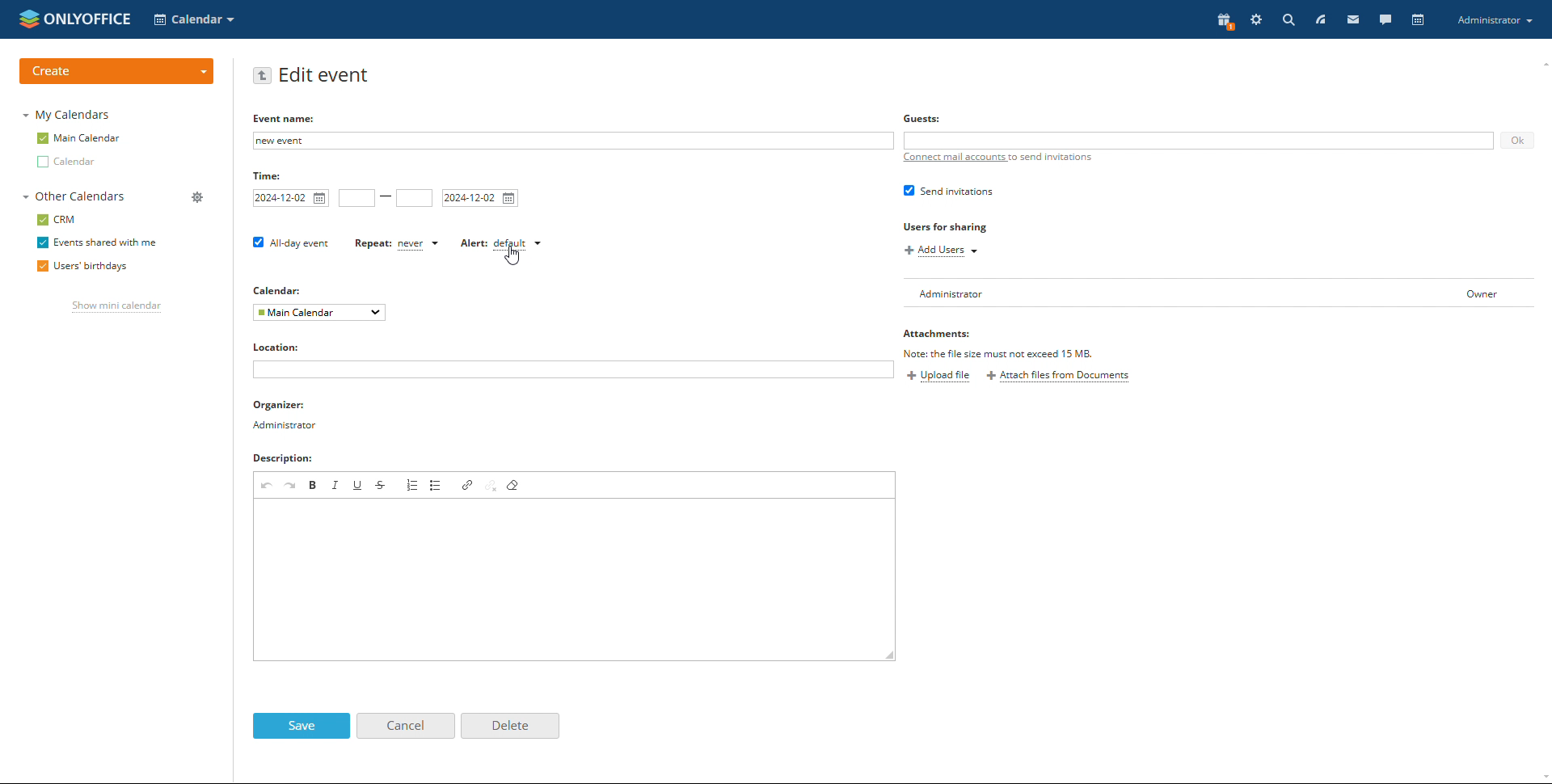  I want to click on resize box, so click(890, 655).